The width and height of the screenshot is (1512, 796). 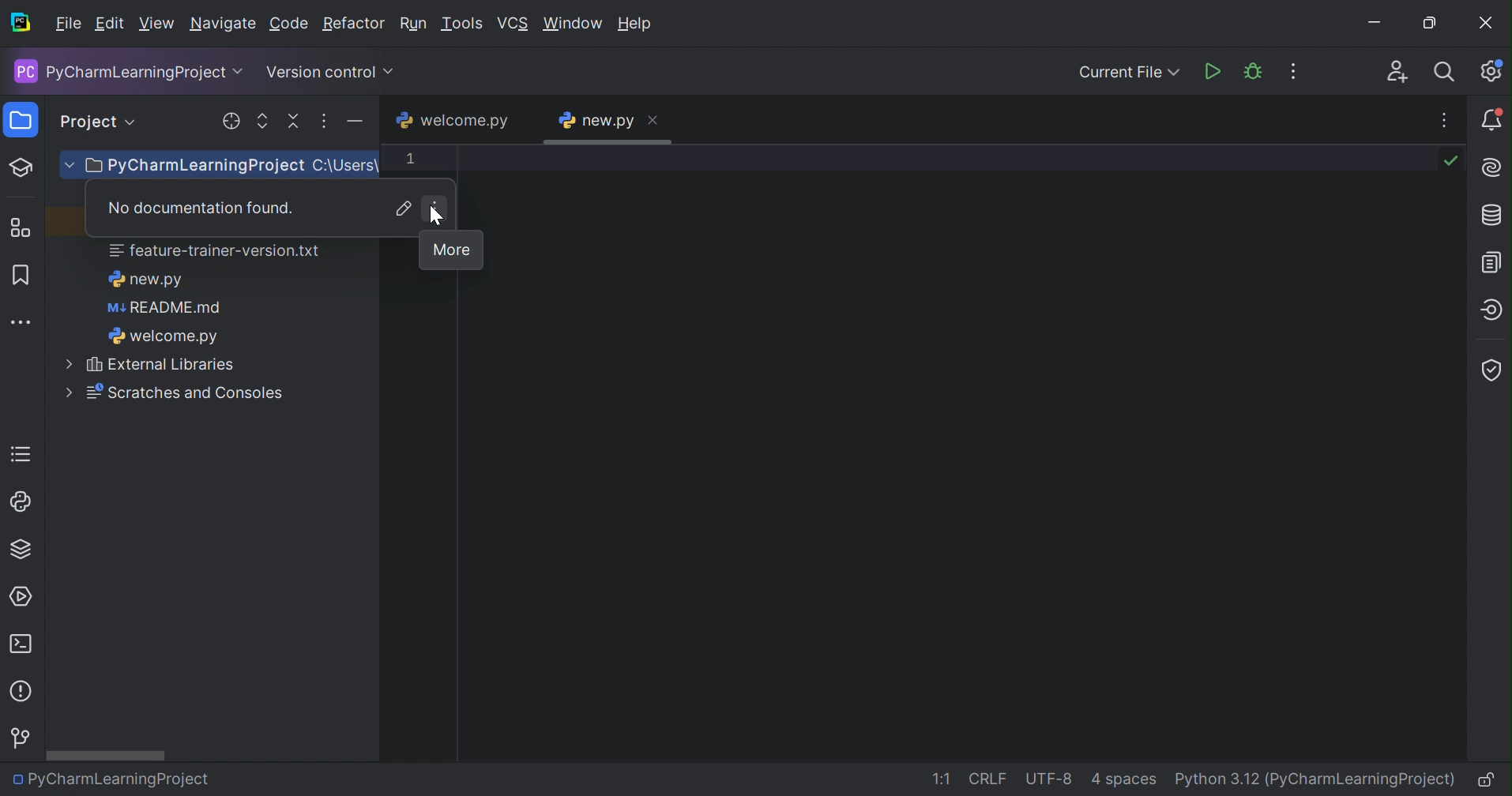 What do you see at coordinates (321, 72) in the screenshot?
I see `Version control` at bounding box center [321, 72].